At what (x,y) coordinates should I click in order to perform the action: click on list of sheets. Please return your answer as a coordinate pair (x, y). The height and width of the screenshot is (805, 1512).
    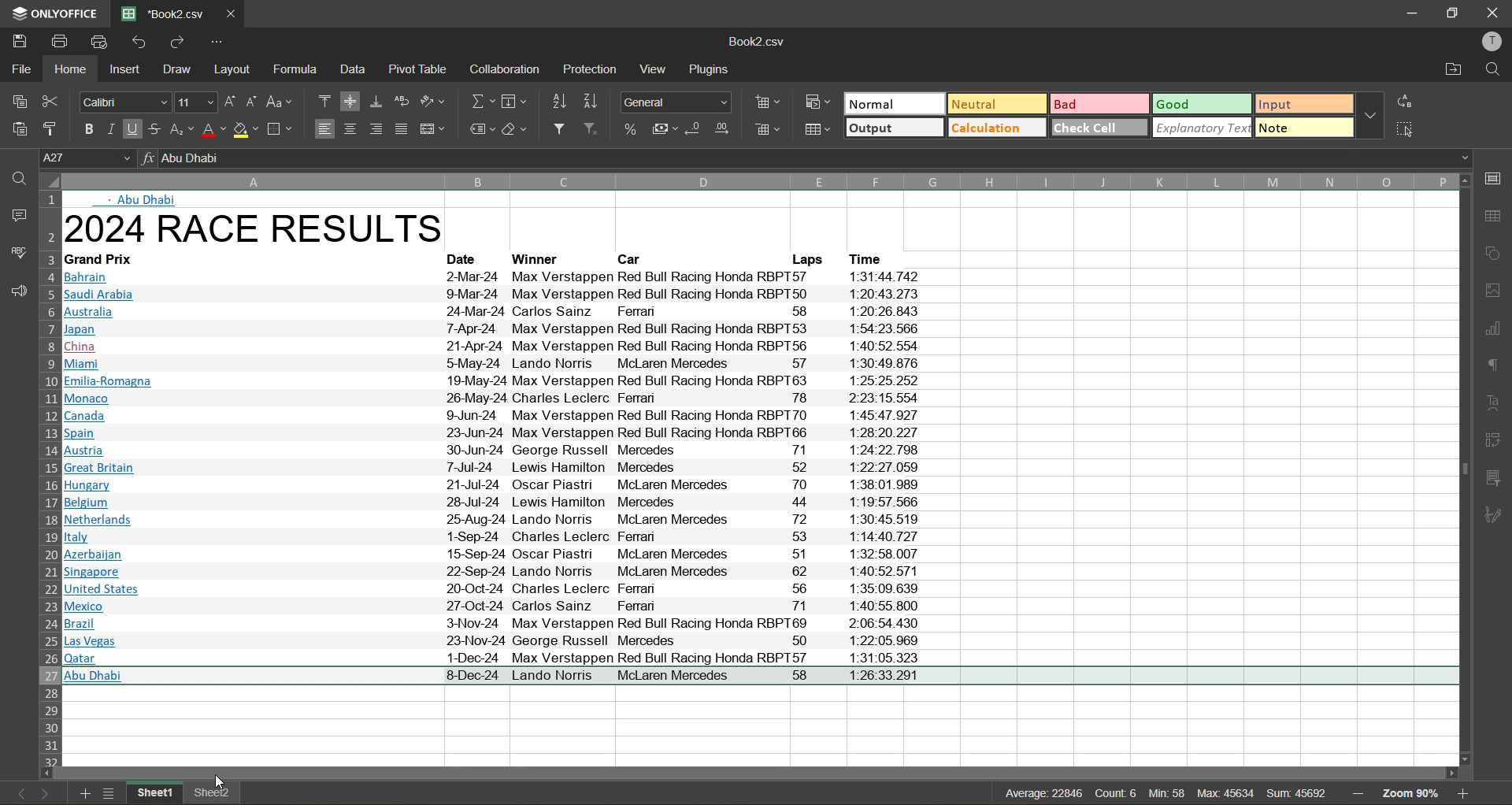
    Looking at the image, I should click on (110, 793).